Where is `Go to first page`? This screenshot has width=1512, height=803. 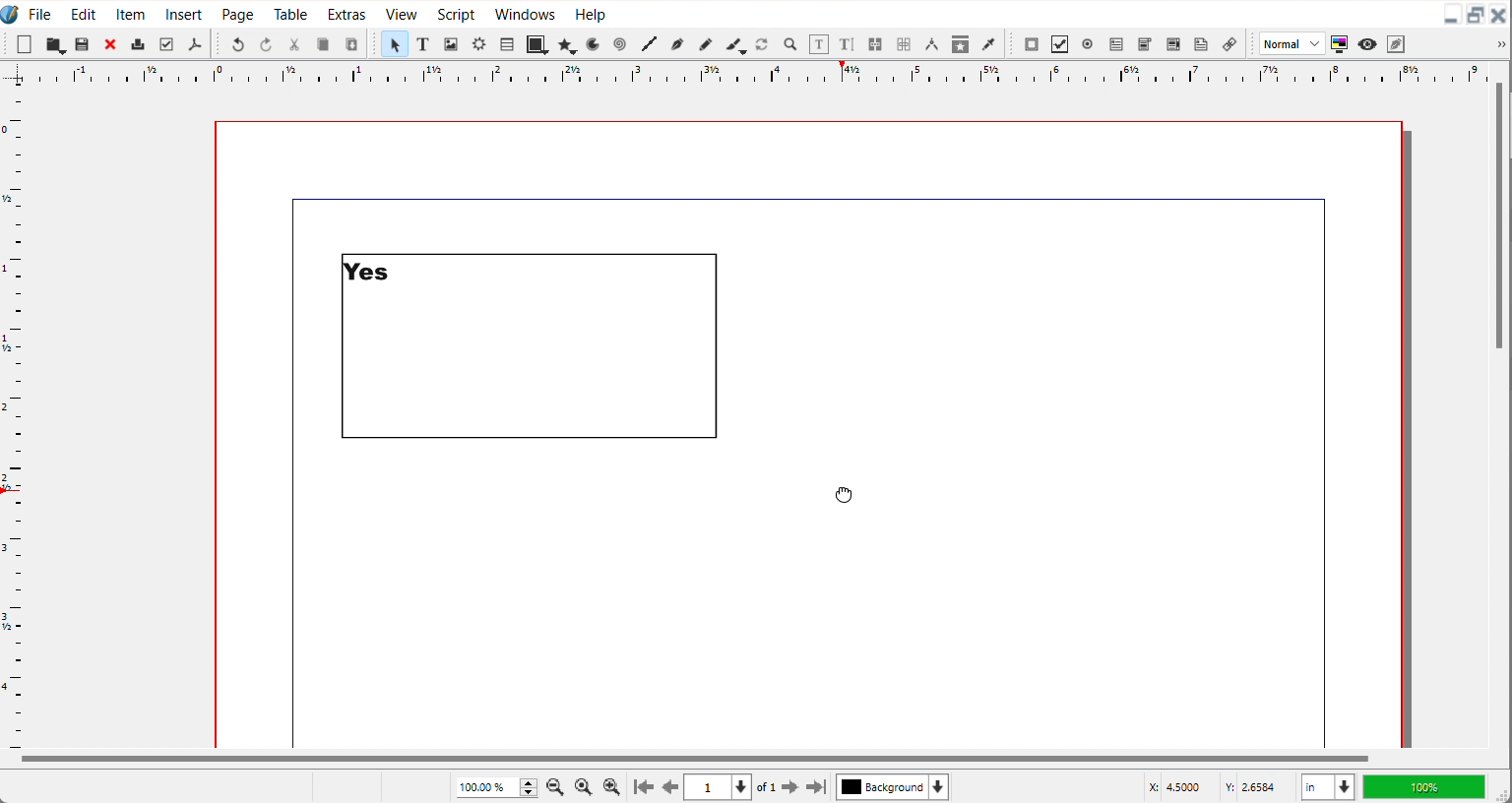
Go to first page is located at coordinates (644, 786).